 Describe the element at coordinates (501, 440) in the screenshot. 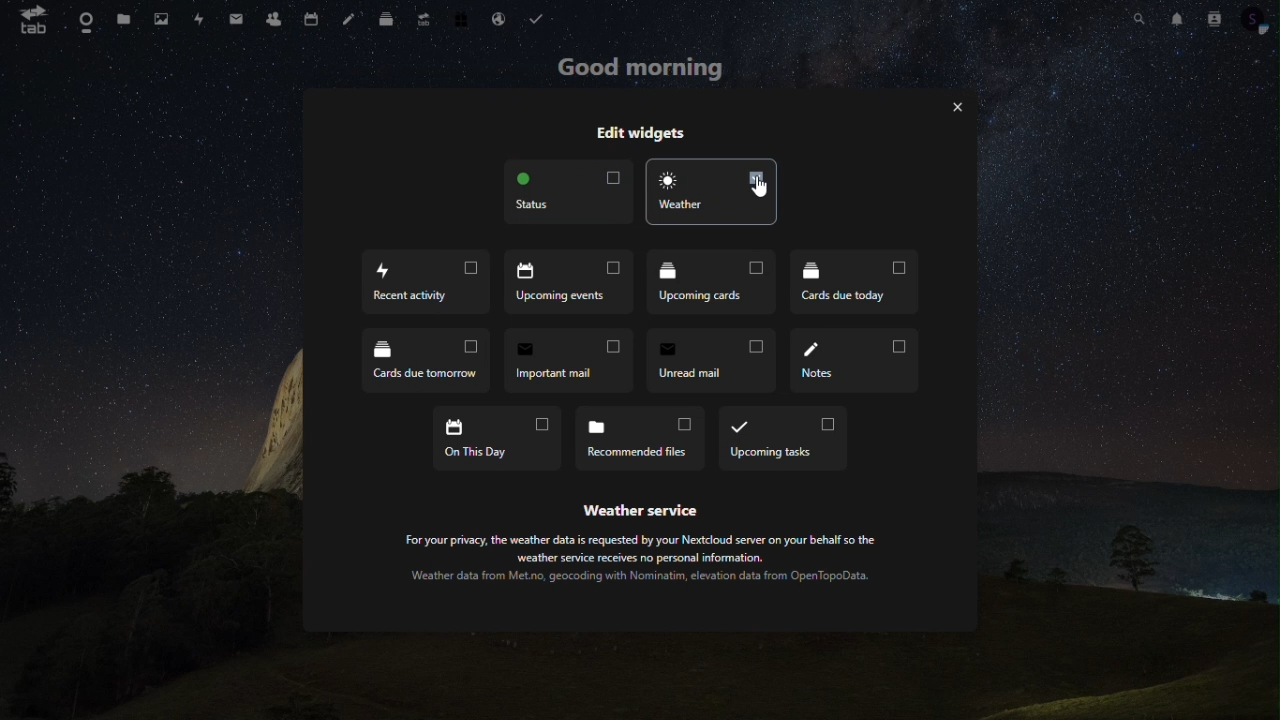

I see `on this day` at that location.